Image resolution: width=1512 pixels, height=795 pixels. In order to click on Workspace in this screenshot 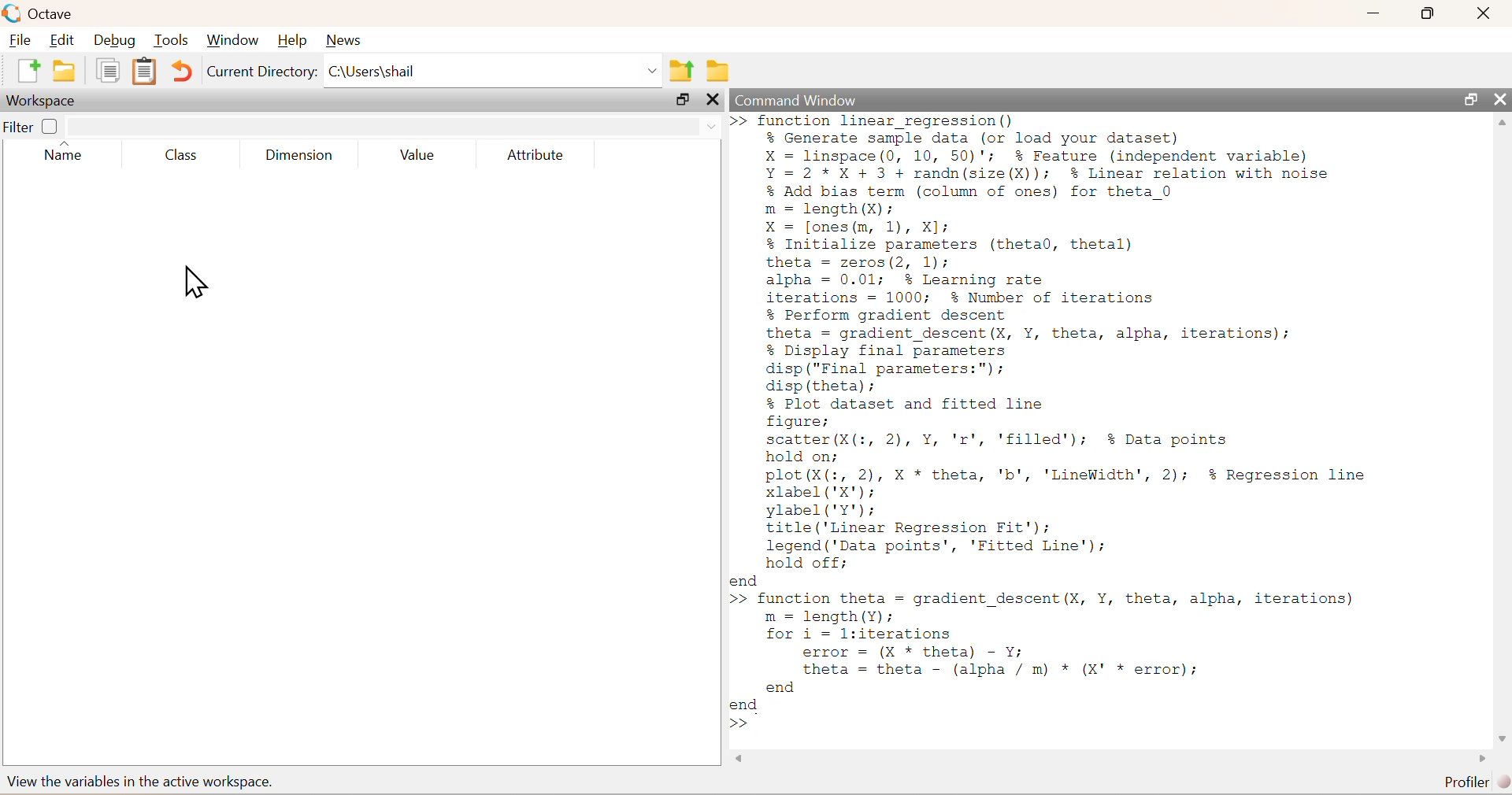, I will do `click(41, 101)`.